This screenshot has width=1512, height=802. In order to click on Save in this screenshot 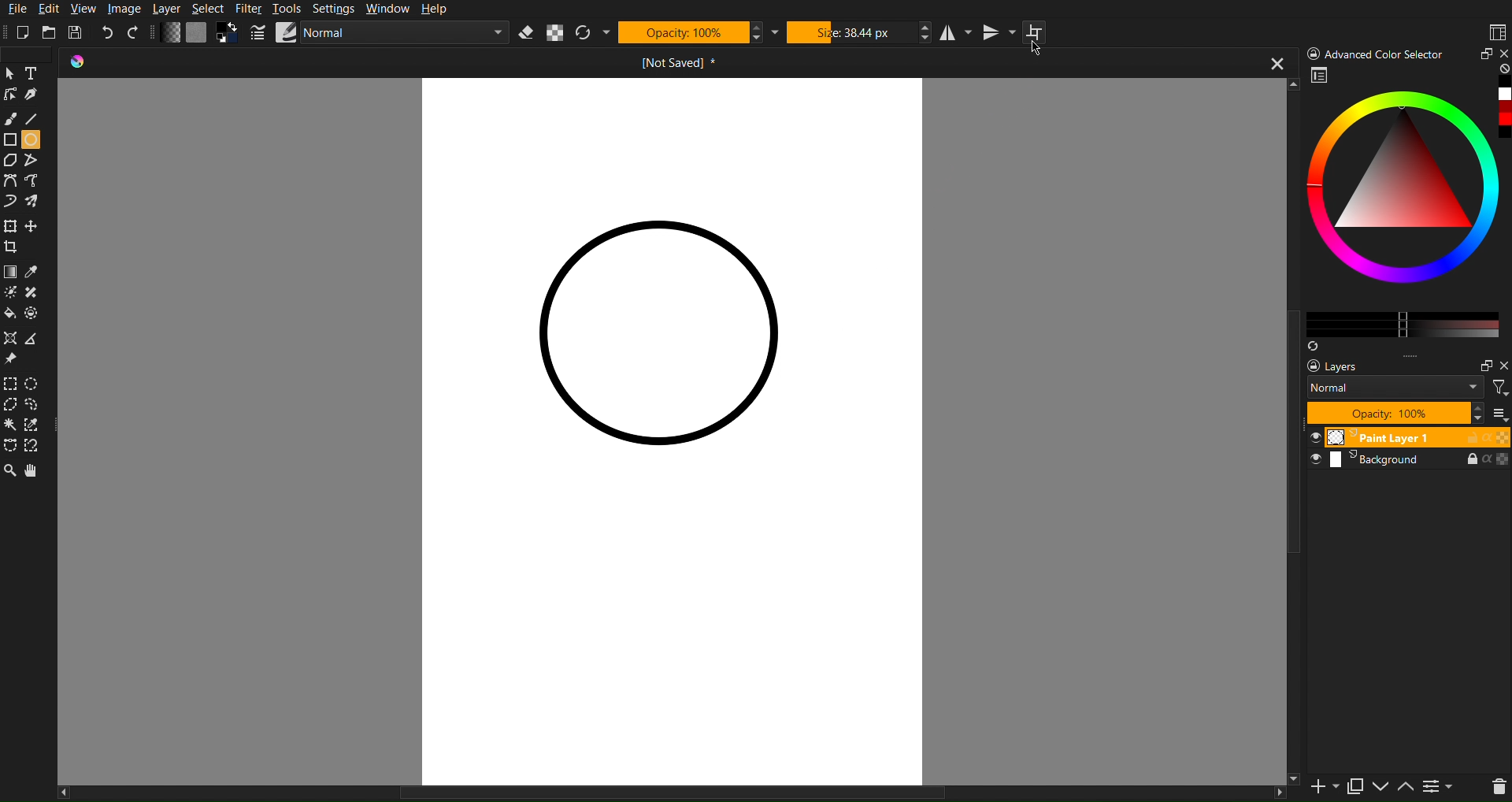, I will do `click(80, 33)`.